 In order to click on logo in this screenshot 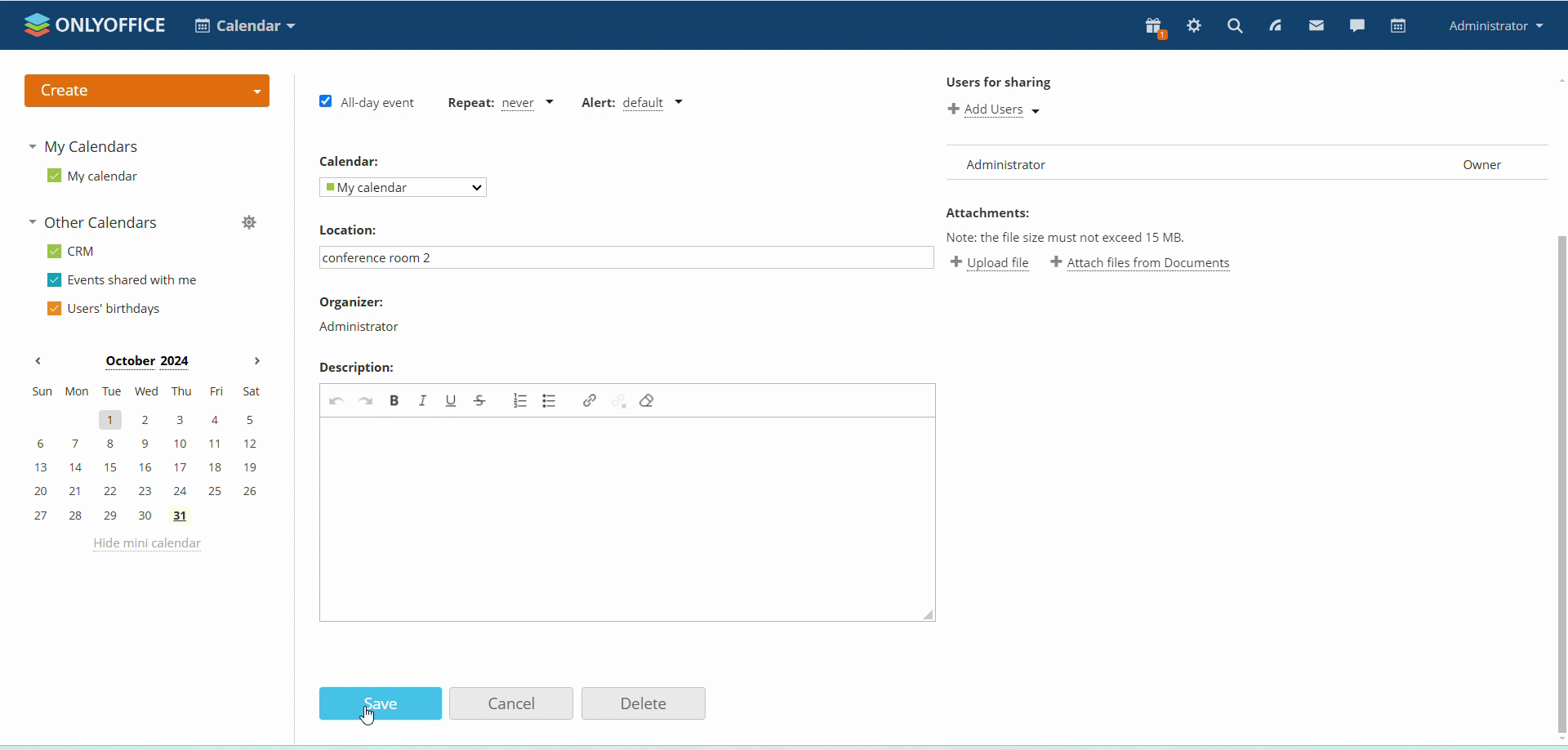, I will do `click(96, 25)`.